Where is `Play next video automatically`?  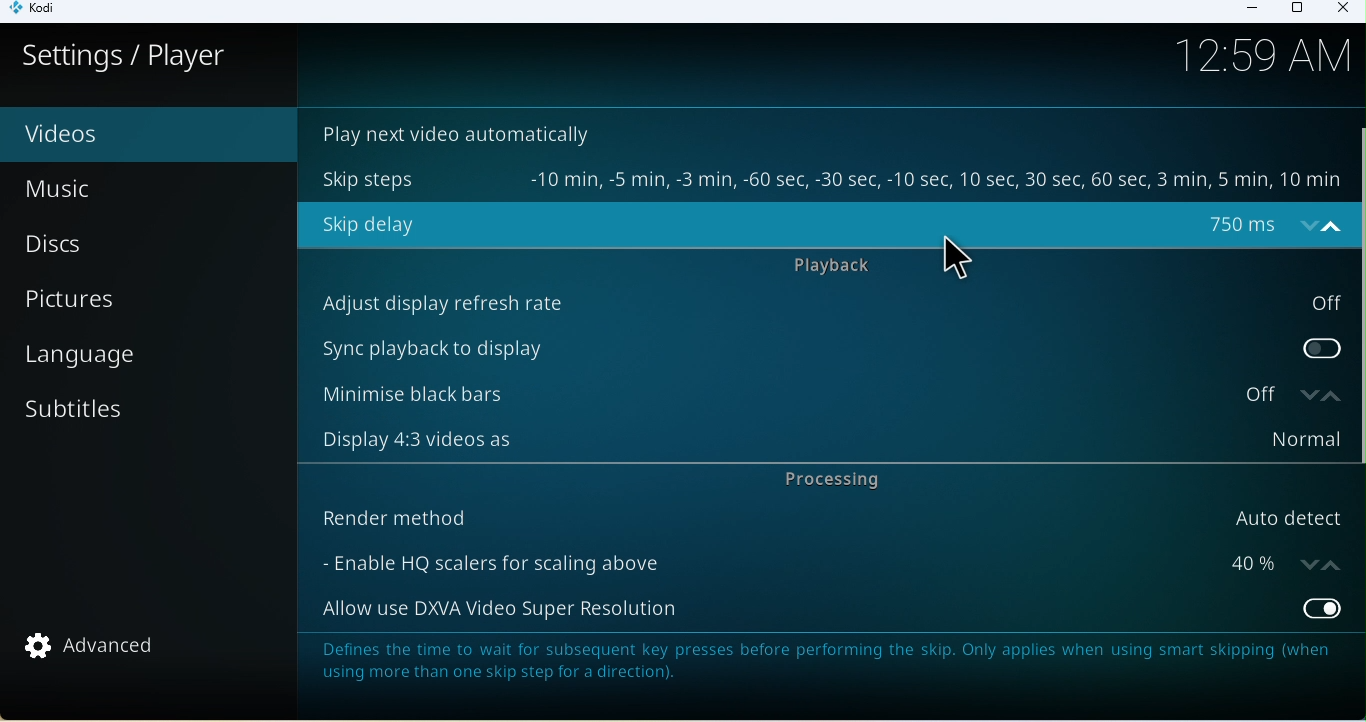
Play next video automatically is located at coordinates (463, 132).